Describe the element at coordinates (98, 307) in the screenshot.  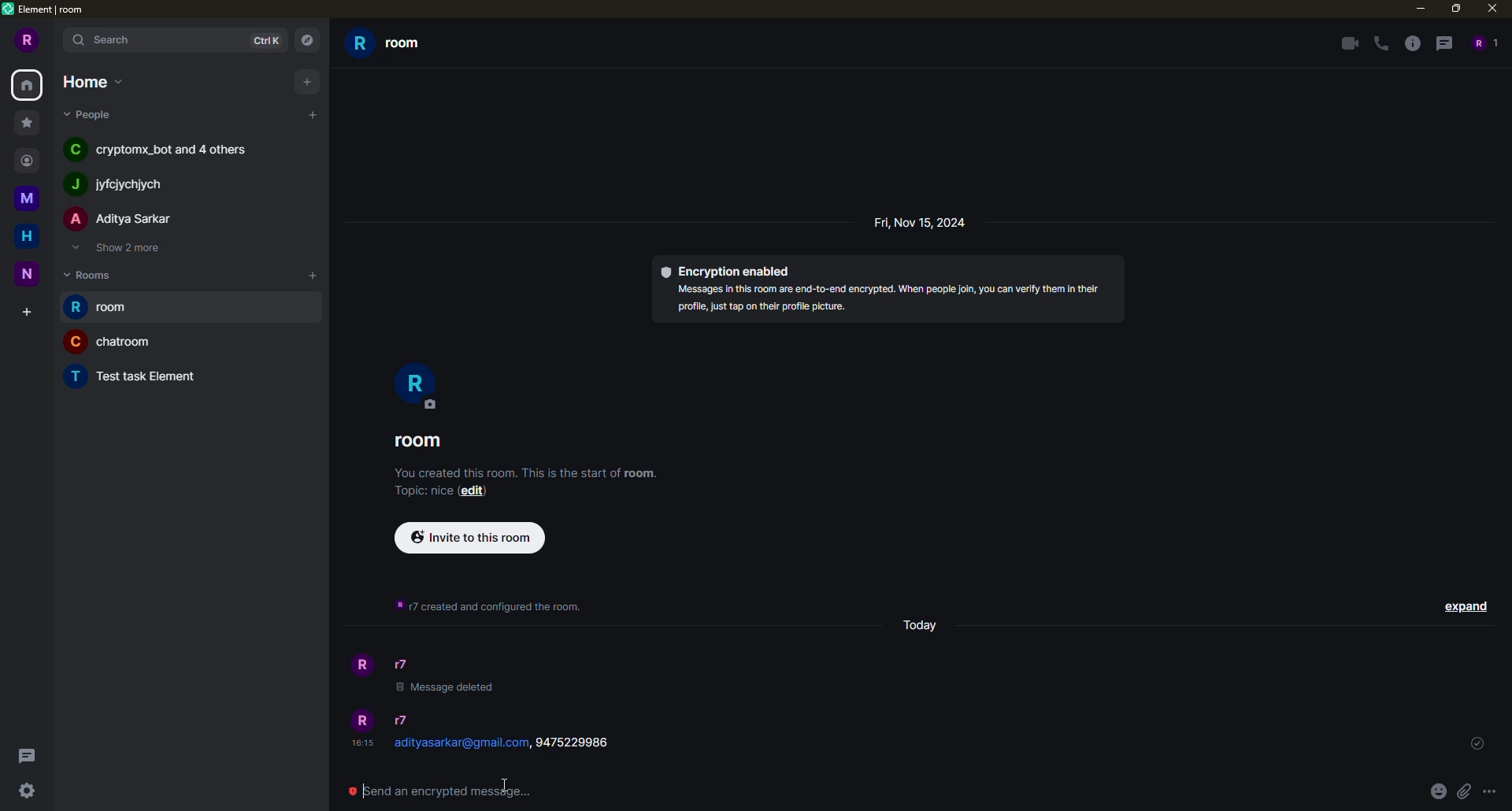
I see `room` at that location.